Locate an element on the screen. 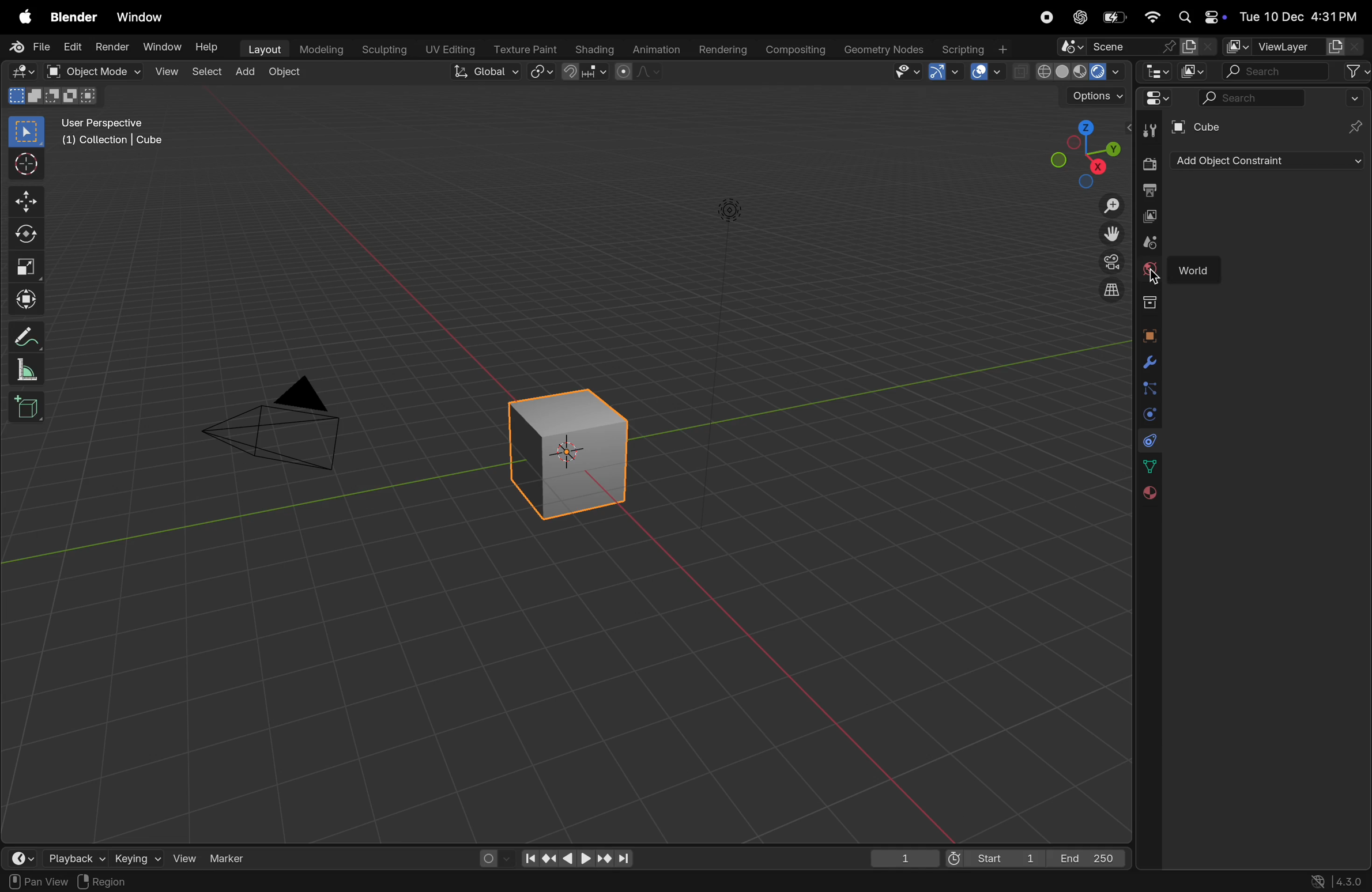 The width and height of the screenshot is (1372, 892). render is located at coordinates (1148, 164).